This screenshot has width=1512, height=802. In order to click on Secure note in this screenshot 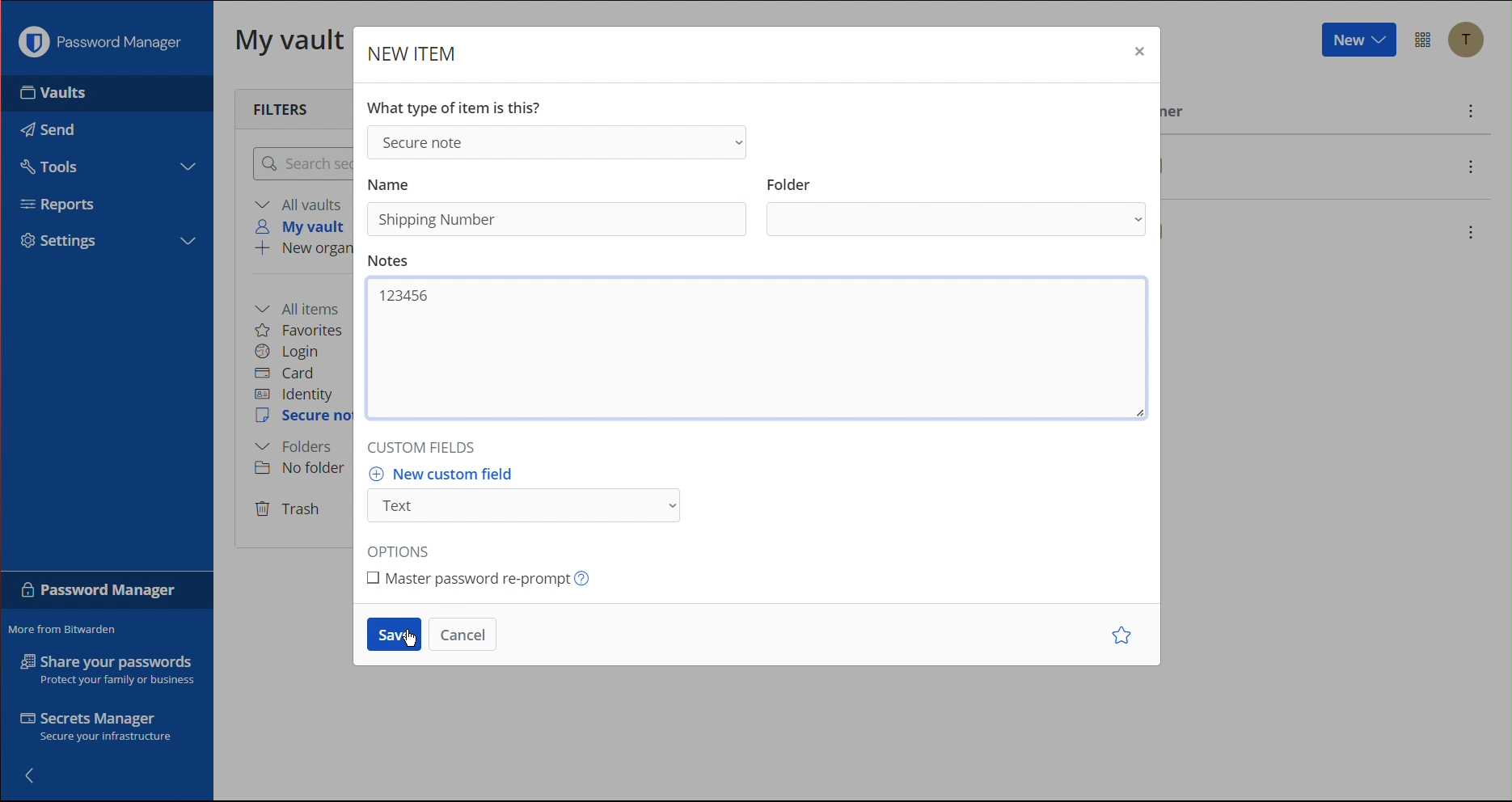, I will do `click(305, 418)`.